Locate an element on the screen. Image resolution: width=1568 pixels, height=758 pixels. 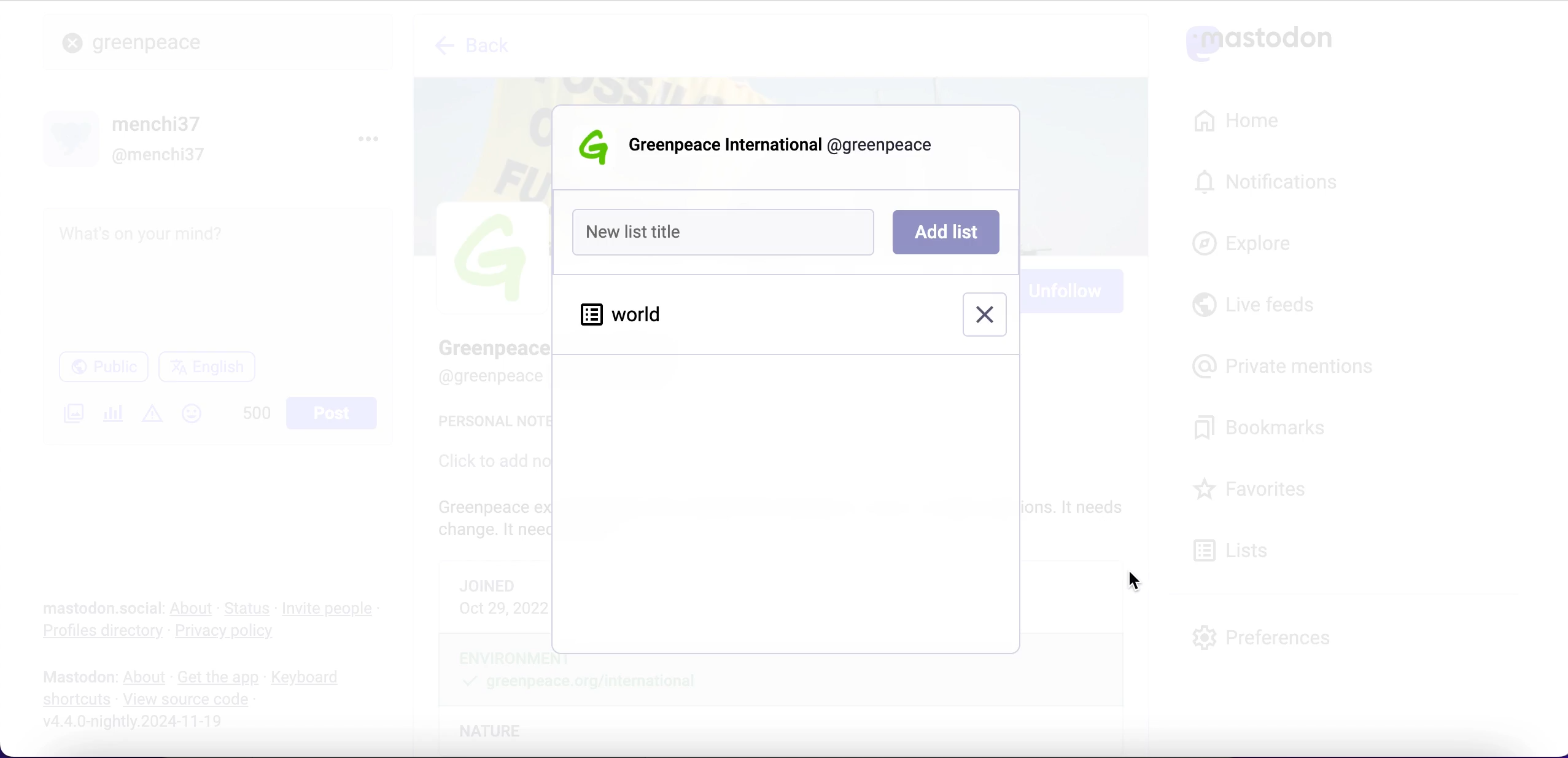
private mentions is located at coordinates (1287, 363).